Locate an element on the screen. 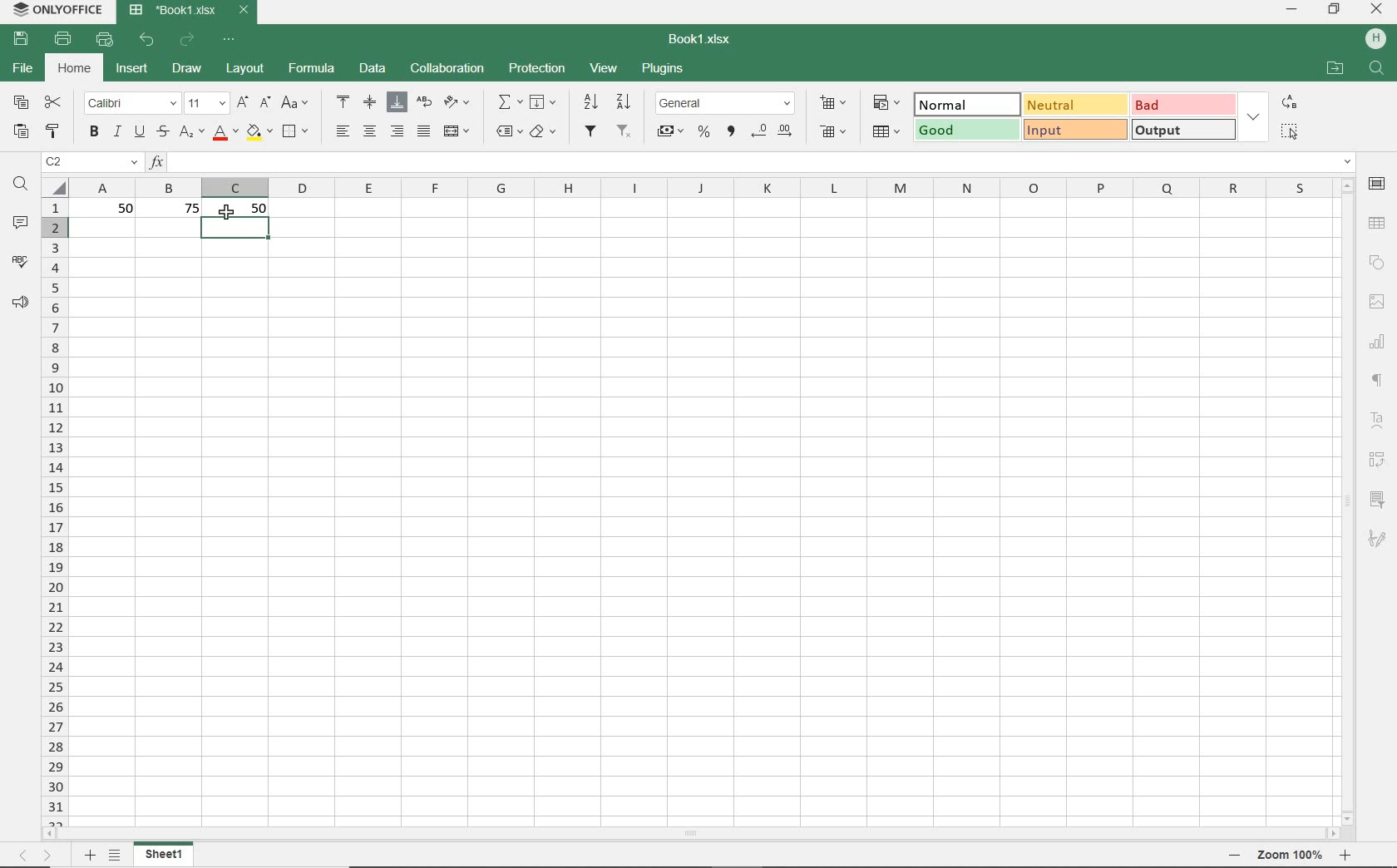 The height and width of the screenshot is (868, 1397). comma style is located at coordinates (732, 133).